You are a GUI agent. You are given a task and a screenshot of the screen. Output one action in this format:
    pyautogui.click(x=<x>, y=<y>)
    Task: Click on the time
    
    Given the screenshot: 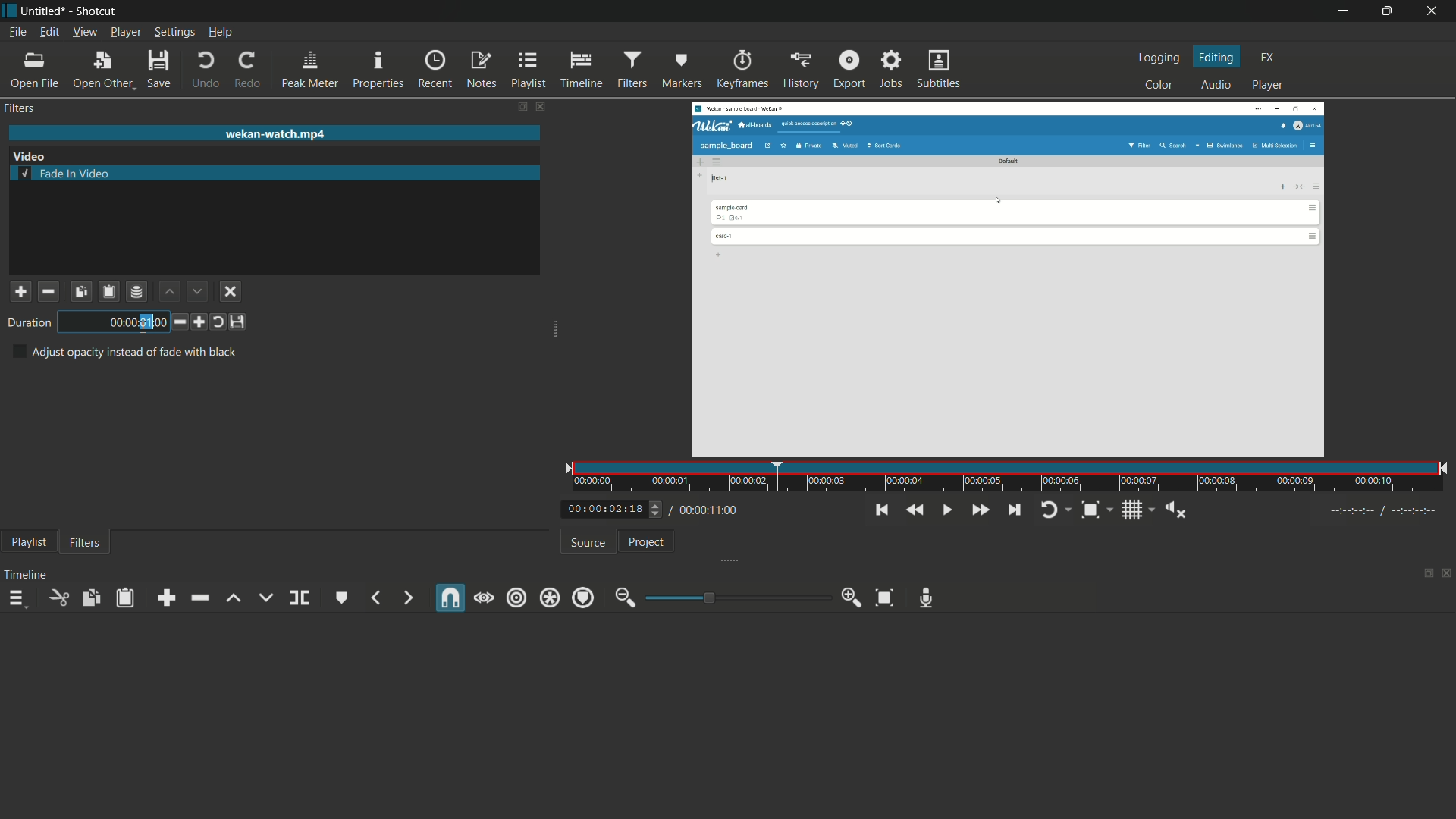 What is the action you would take?
    pyautogui.click(x=1010, y=477)
    